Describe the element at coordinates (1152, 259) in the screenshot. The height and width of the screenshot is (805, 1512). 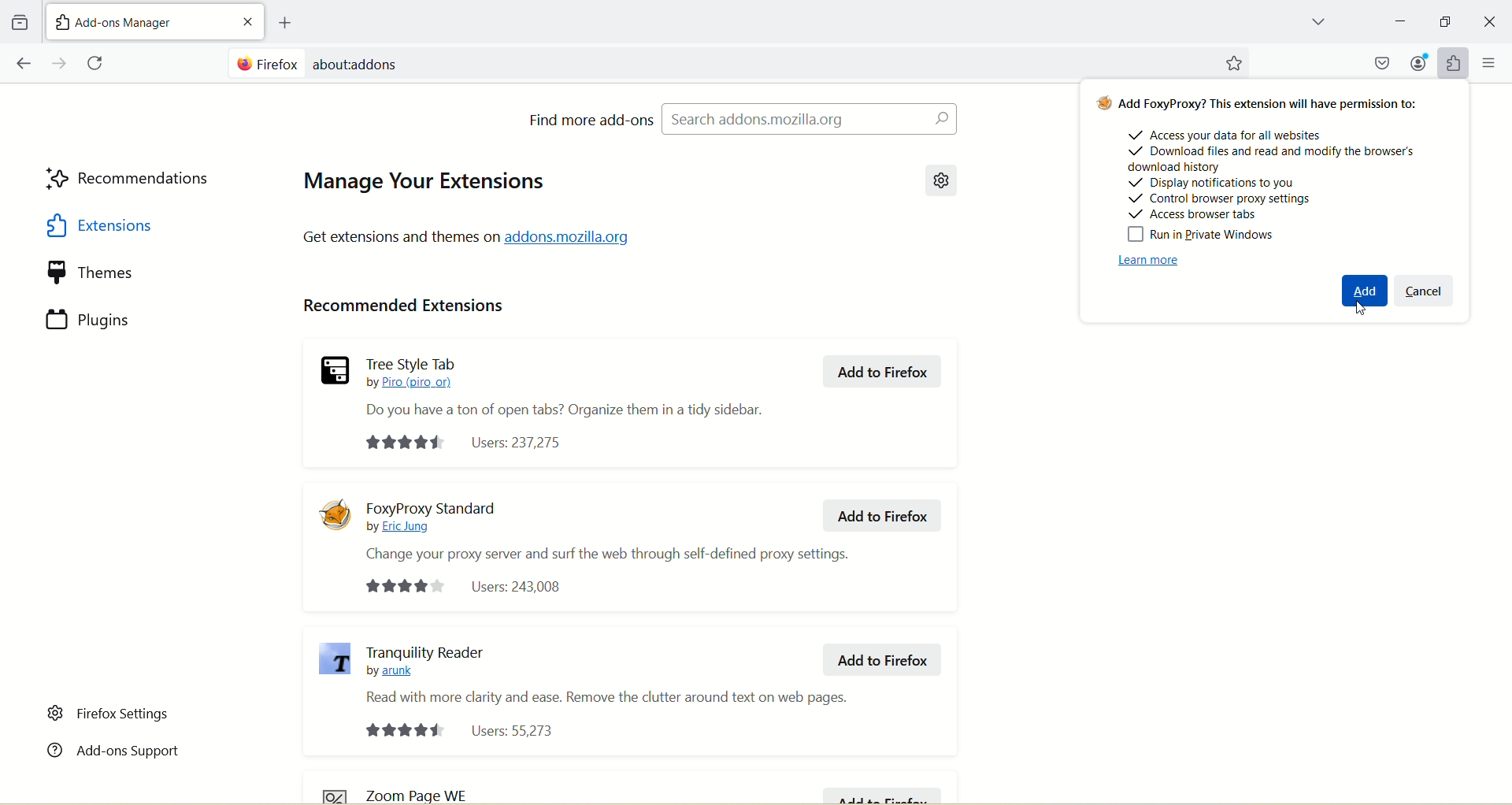
I see `Learn More` at that location.